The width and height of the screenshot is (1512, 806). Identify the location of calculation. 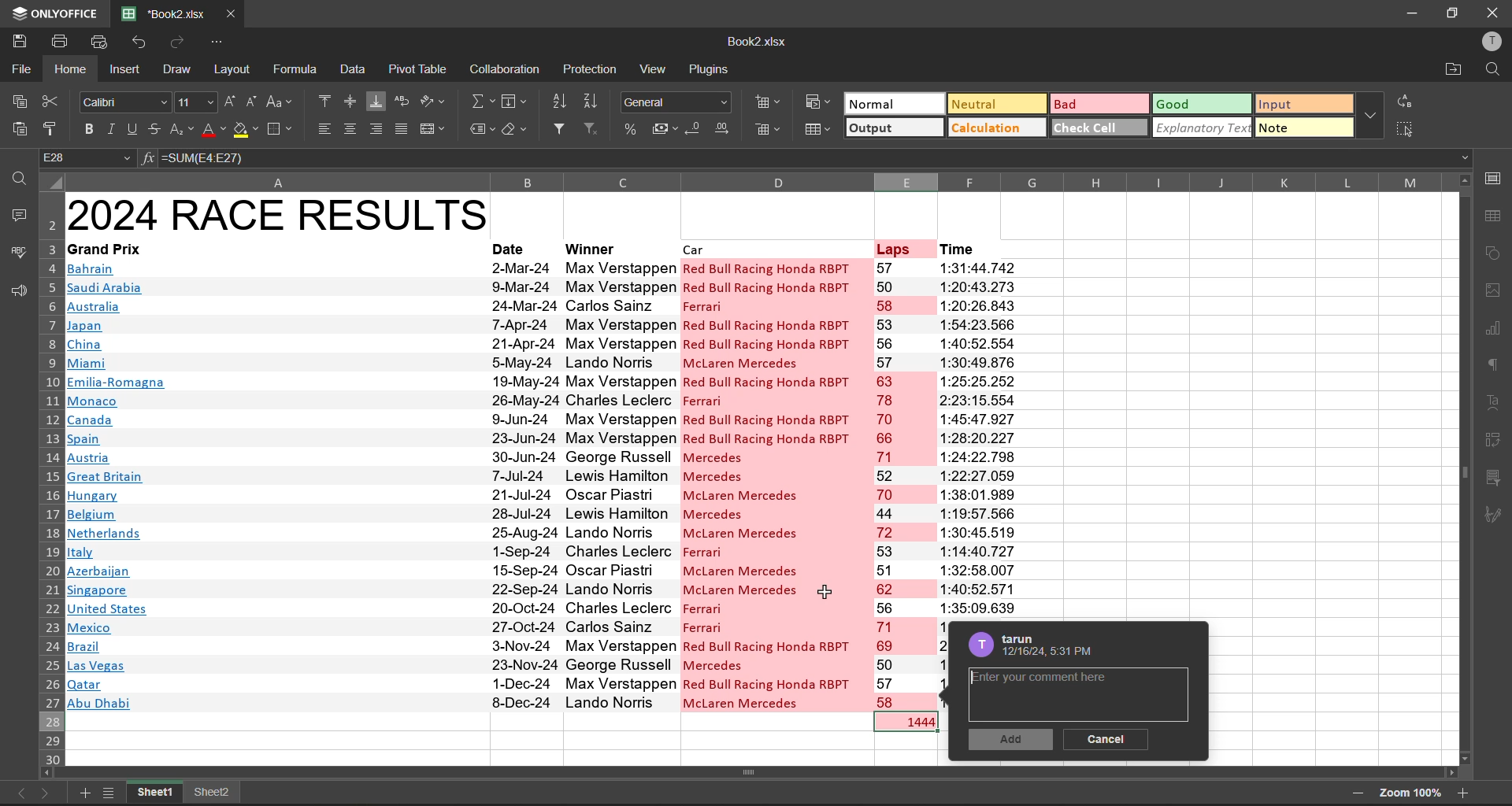
(998, 128).